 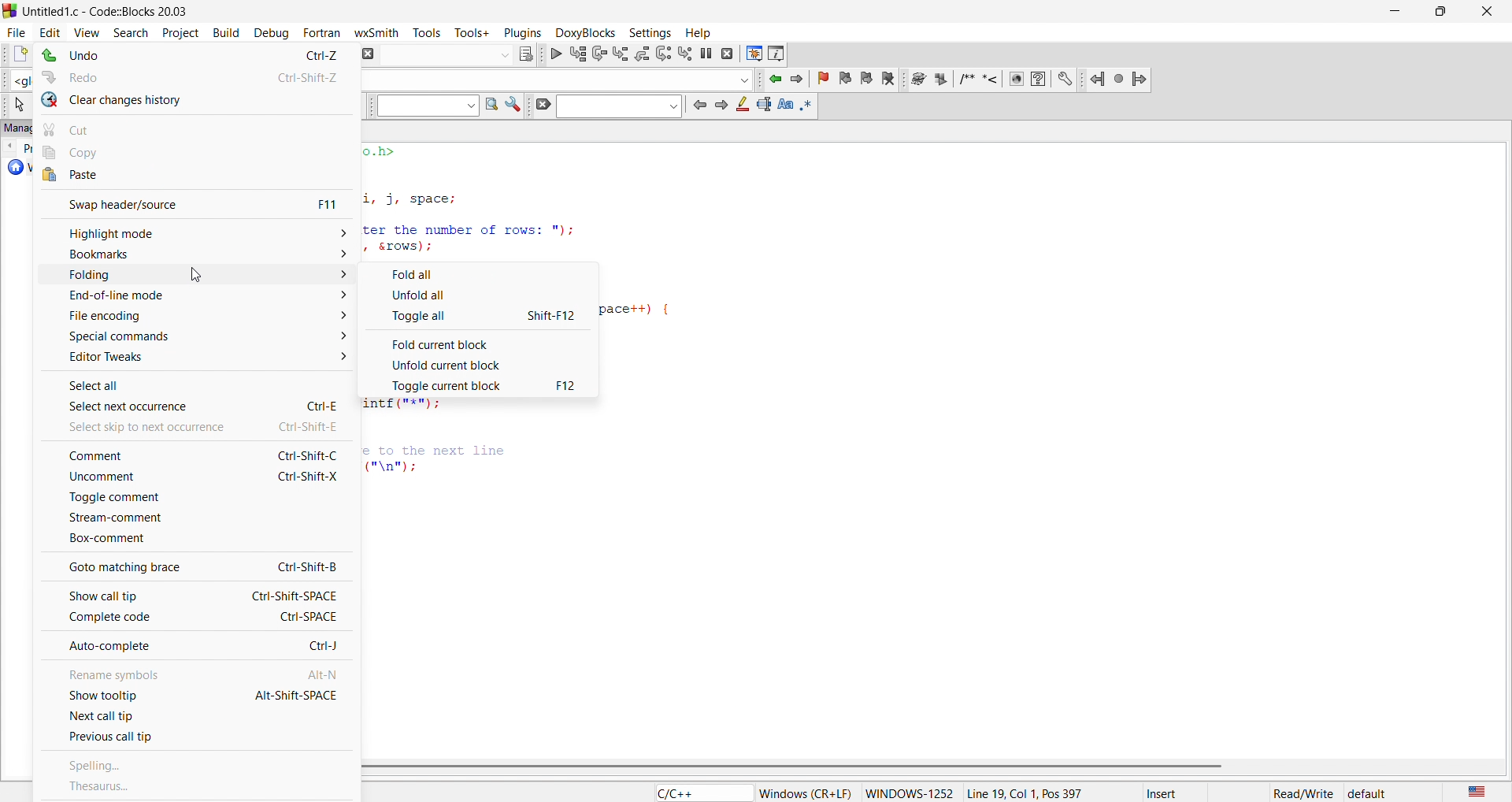 What do you see at coordinates (868, 77) in the screenshot?
I see `next bookmark` at bounding box center [868, 77].